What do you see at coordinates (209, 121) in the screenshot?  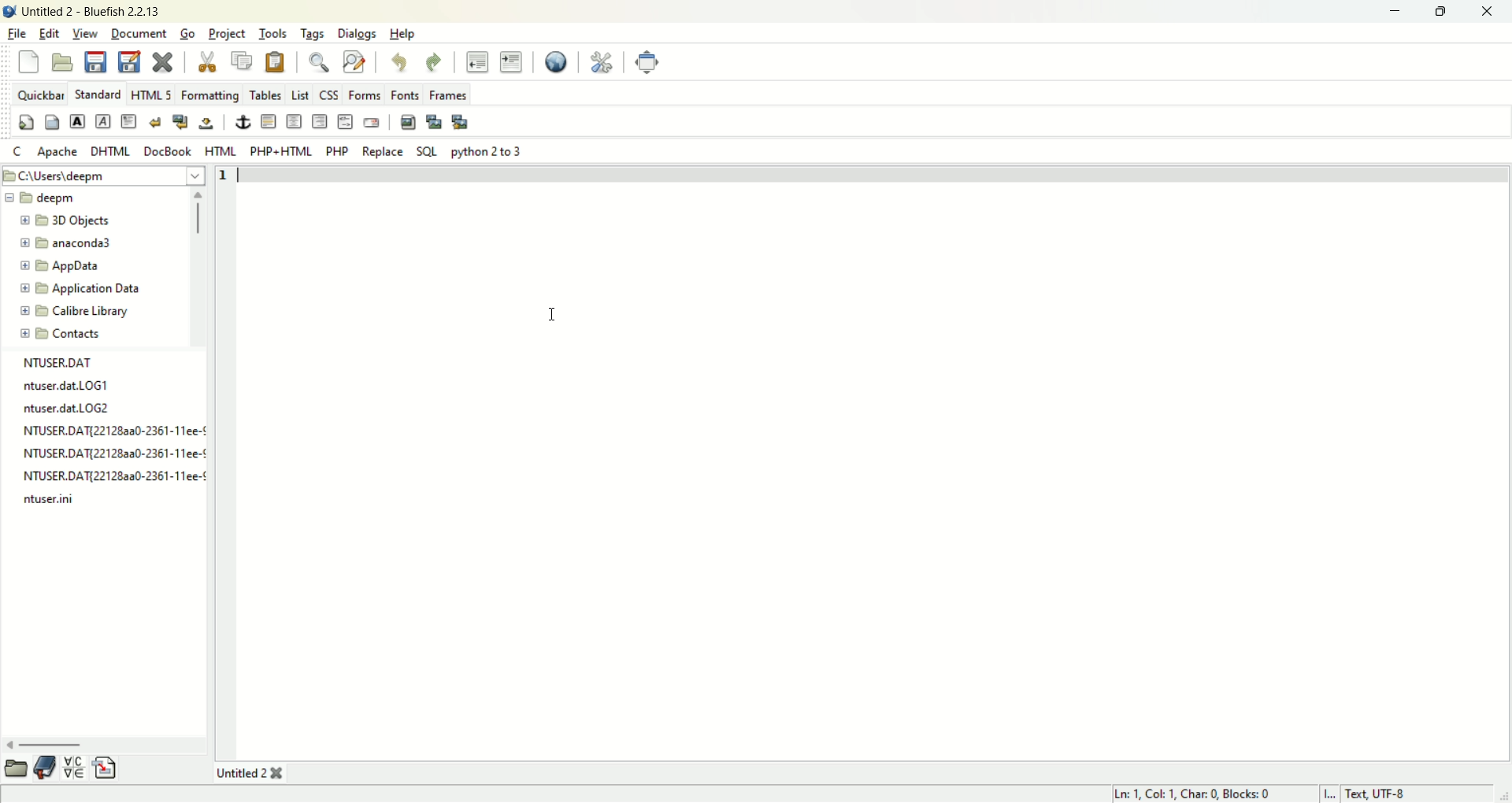 I see `non breaking space` at bounding box center [209, 121].